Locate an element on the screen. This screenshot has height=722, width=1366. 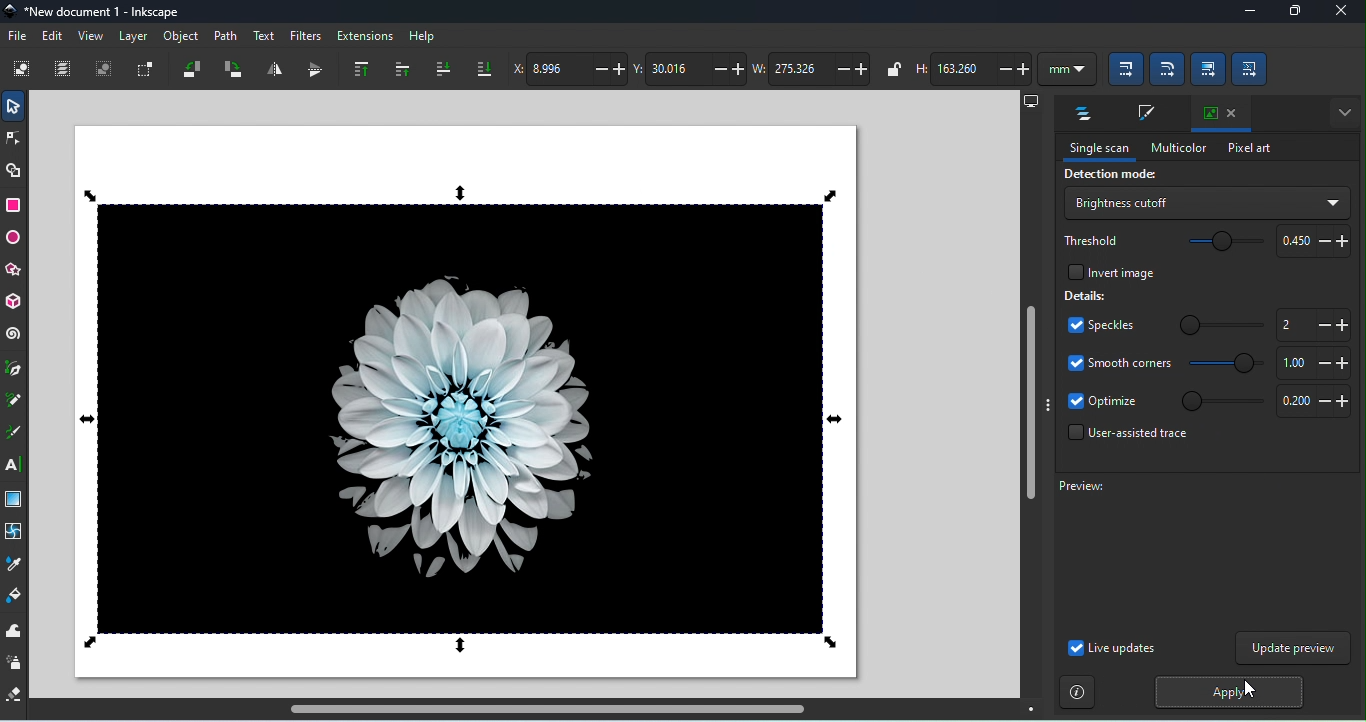
paint bucket tool is located at coordinates (15, 596).